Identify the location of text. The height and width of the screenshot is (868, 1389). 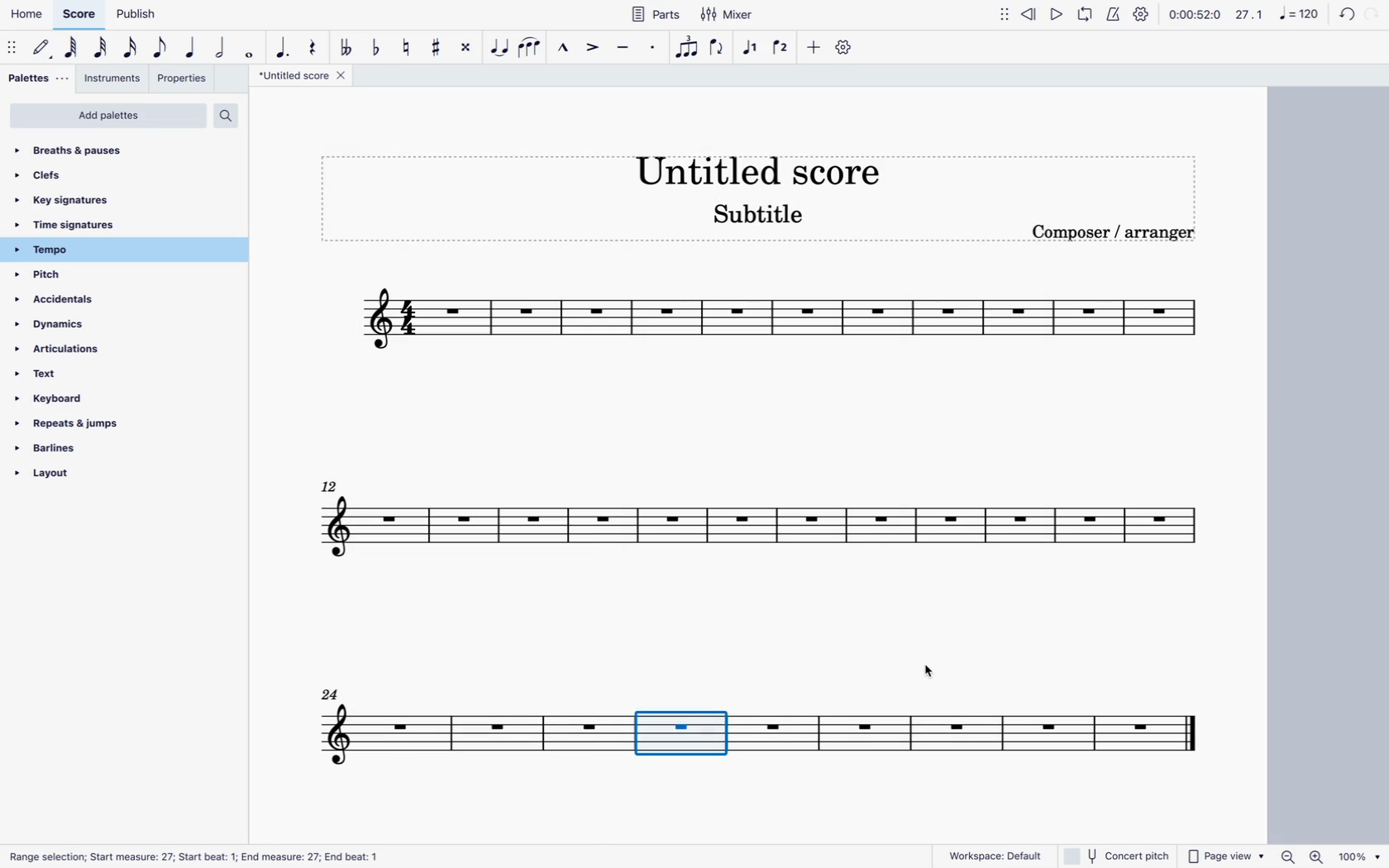
(69, 374).